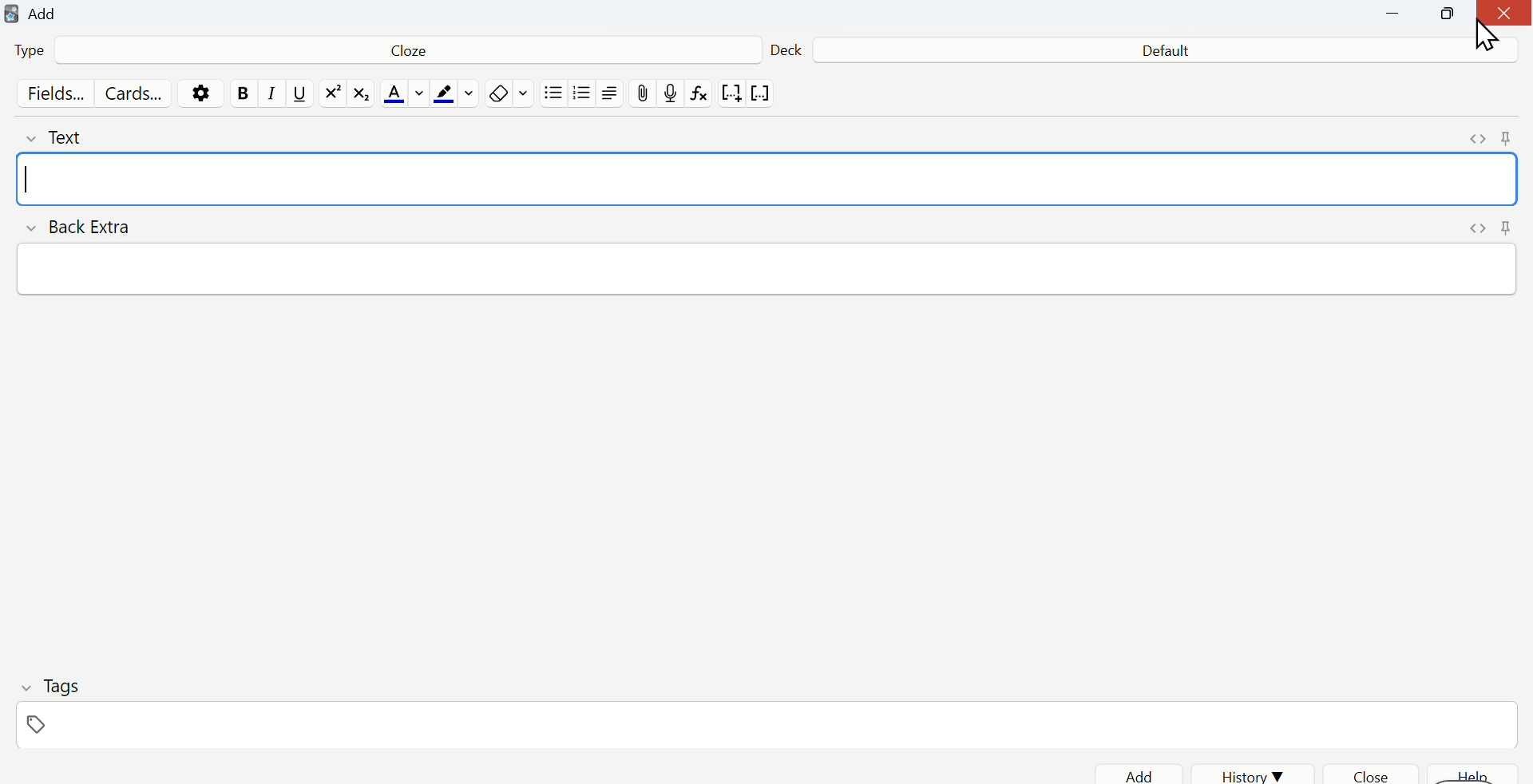  I want to click on Underline, so click(299, 95).